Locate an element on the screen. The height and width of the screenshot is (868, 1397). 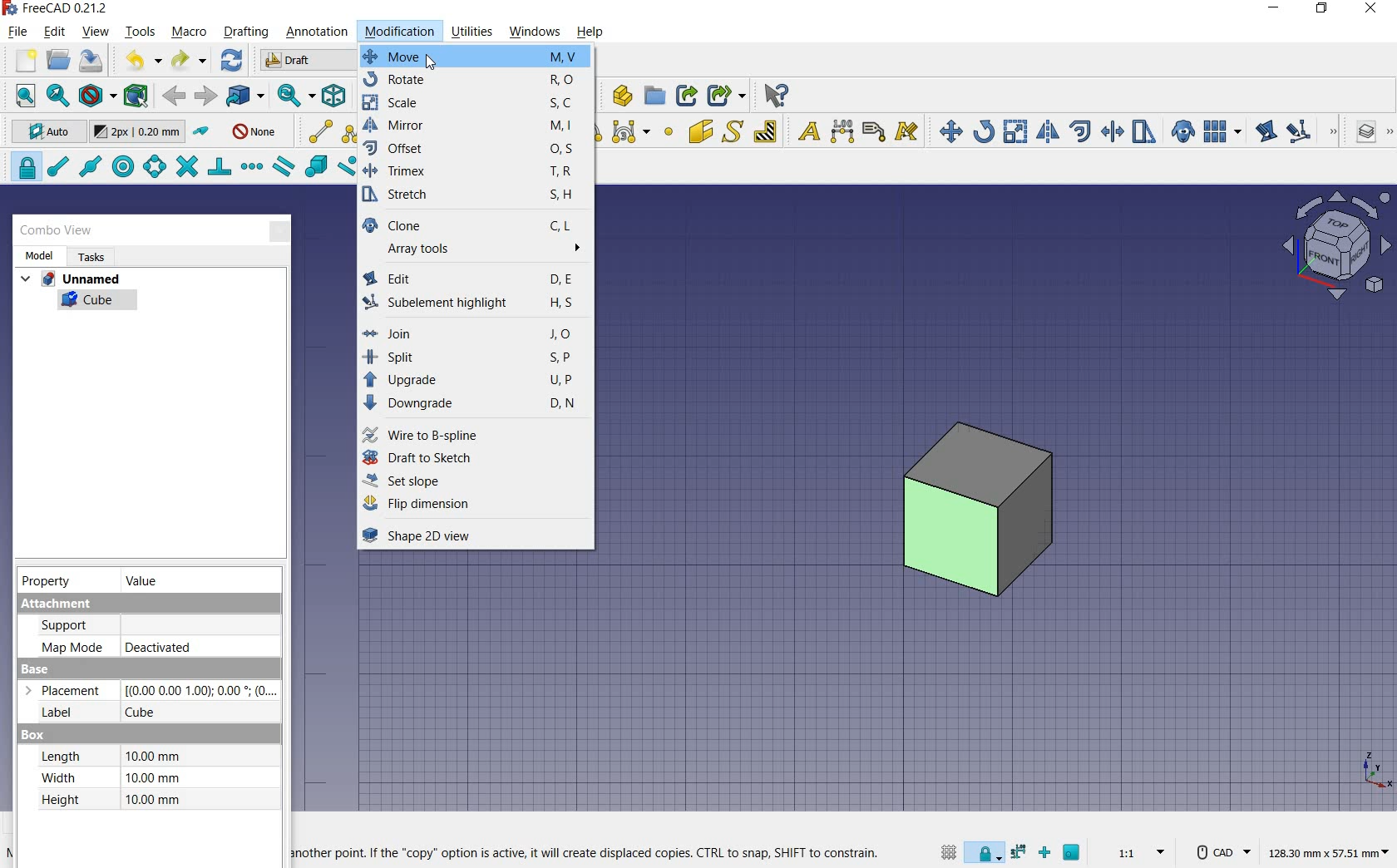
switch between workbenches is located at coordinates (304, 61).